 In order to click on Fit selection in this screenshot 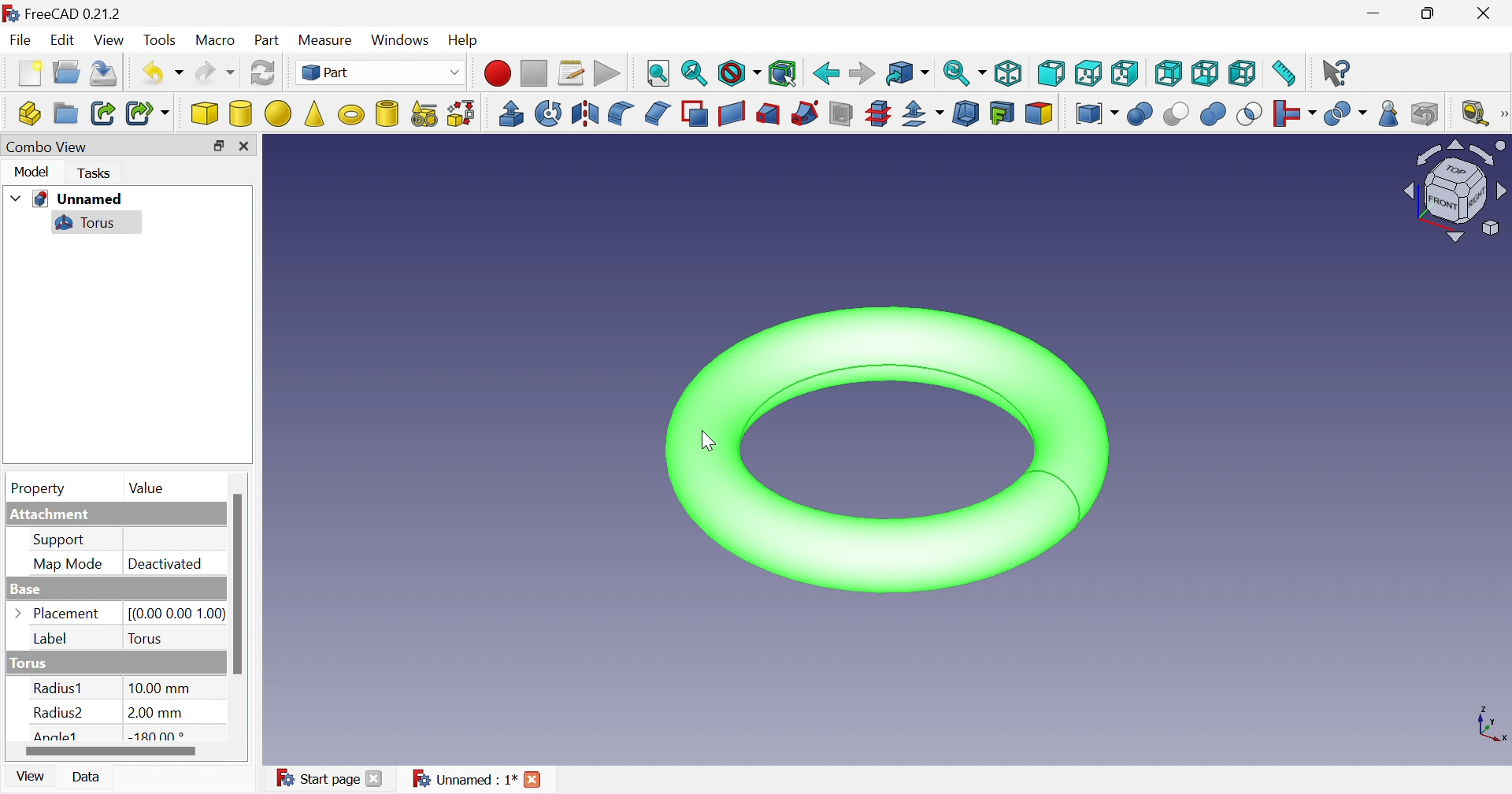, I will do `click(692, 72)`.